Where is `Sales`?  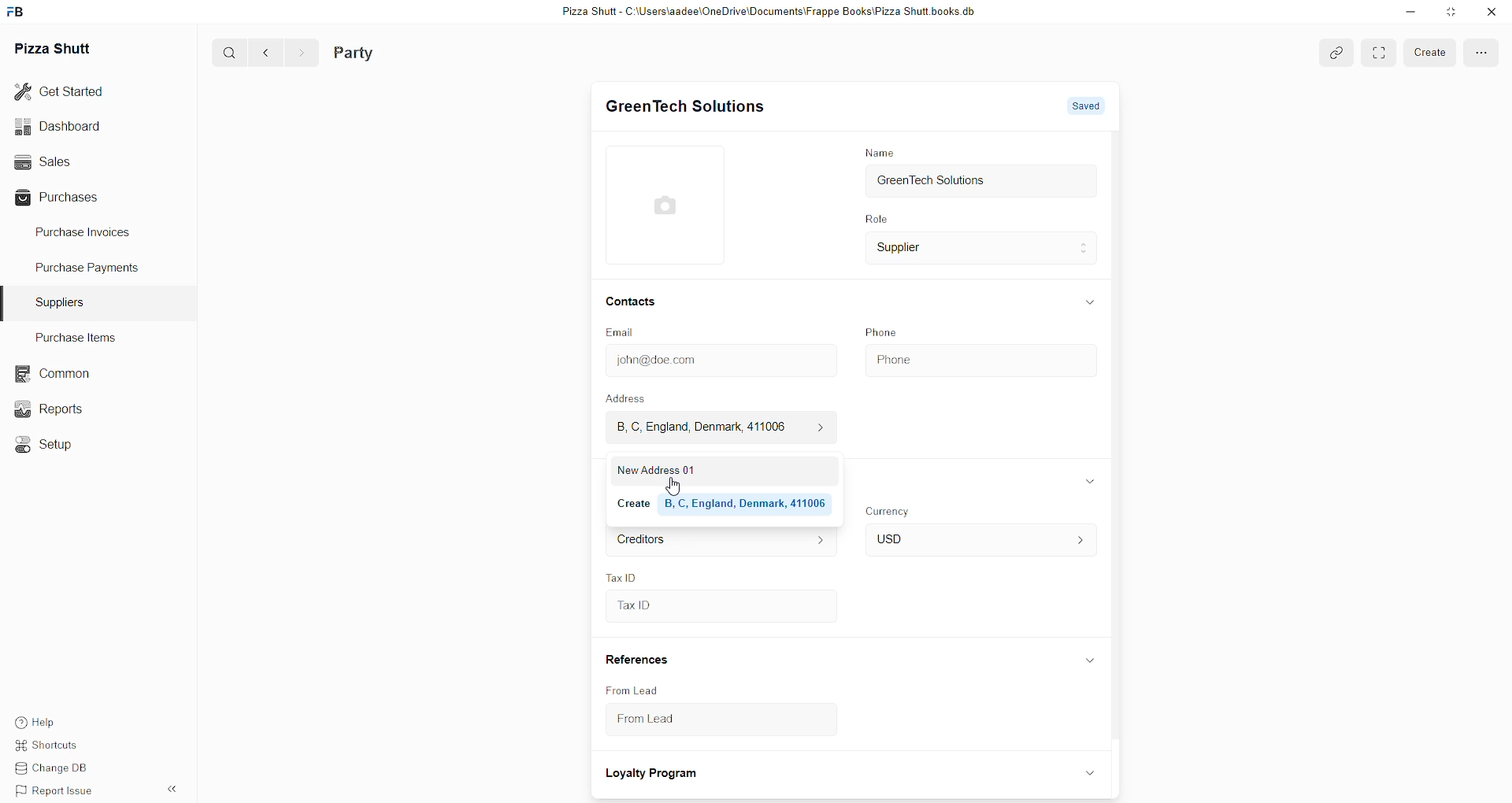
Sales is located at coordinates (76, 161).